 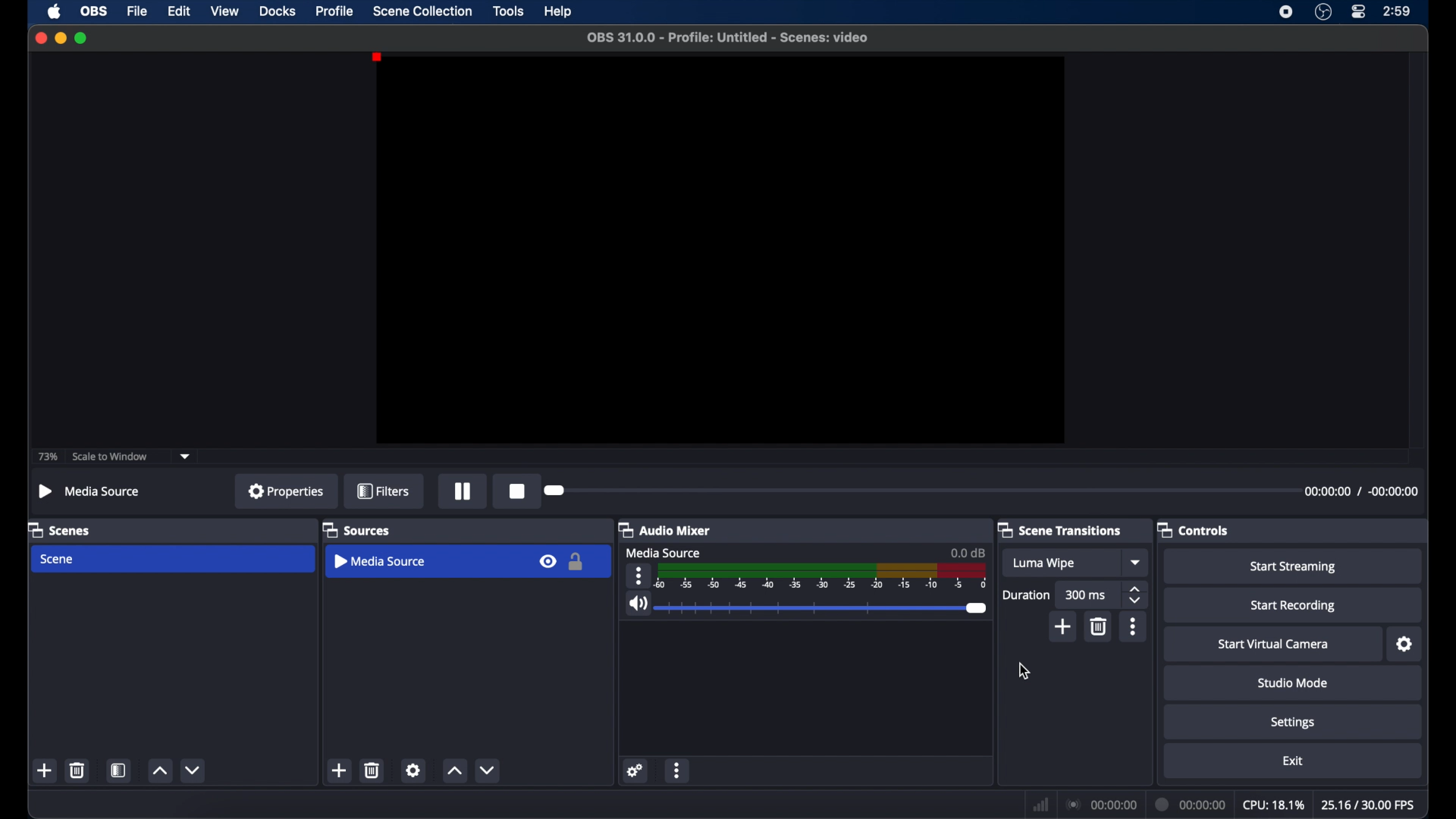 What do you see at coordinates (1362, 491) in the screenshot?
I see `timestamp` at bounding box center [1362, 491].